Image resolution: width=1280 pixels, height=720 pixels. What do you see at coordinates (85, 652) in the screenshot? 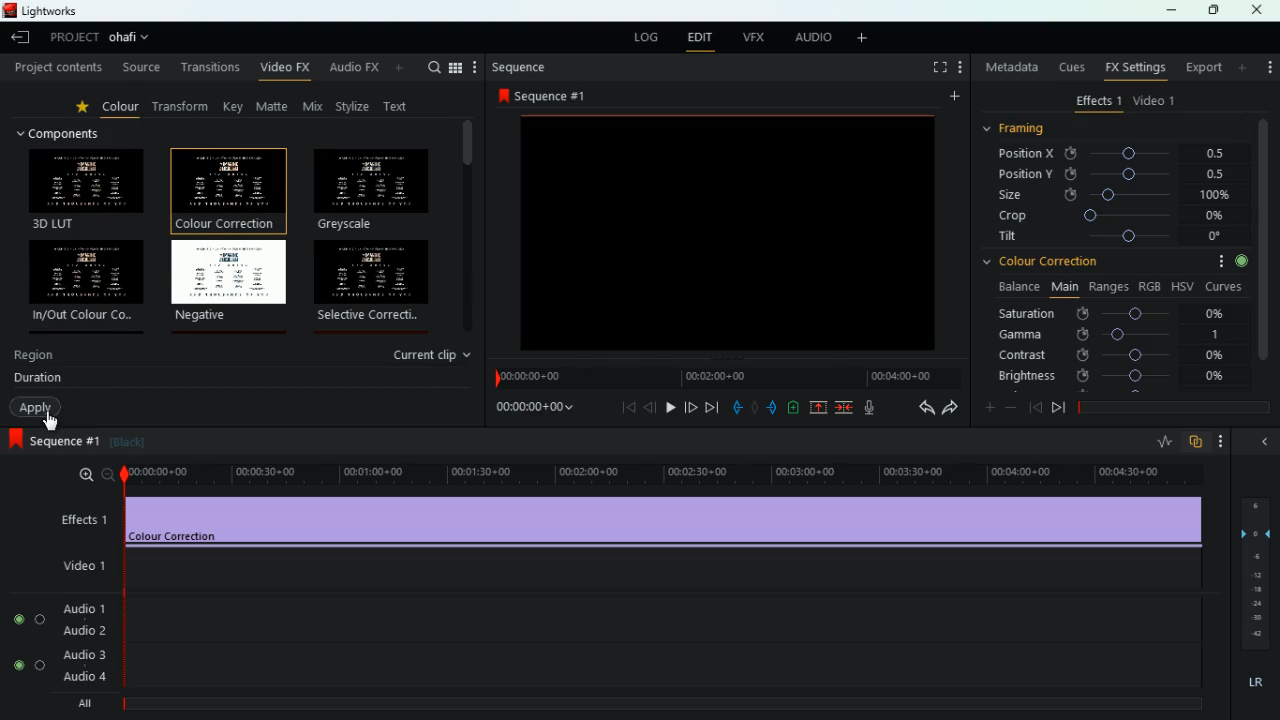
I see `audio 3` at bounding box center [85, 652].